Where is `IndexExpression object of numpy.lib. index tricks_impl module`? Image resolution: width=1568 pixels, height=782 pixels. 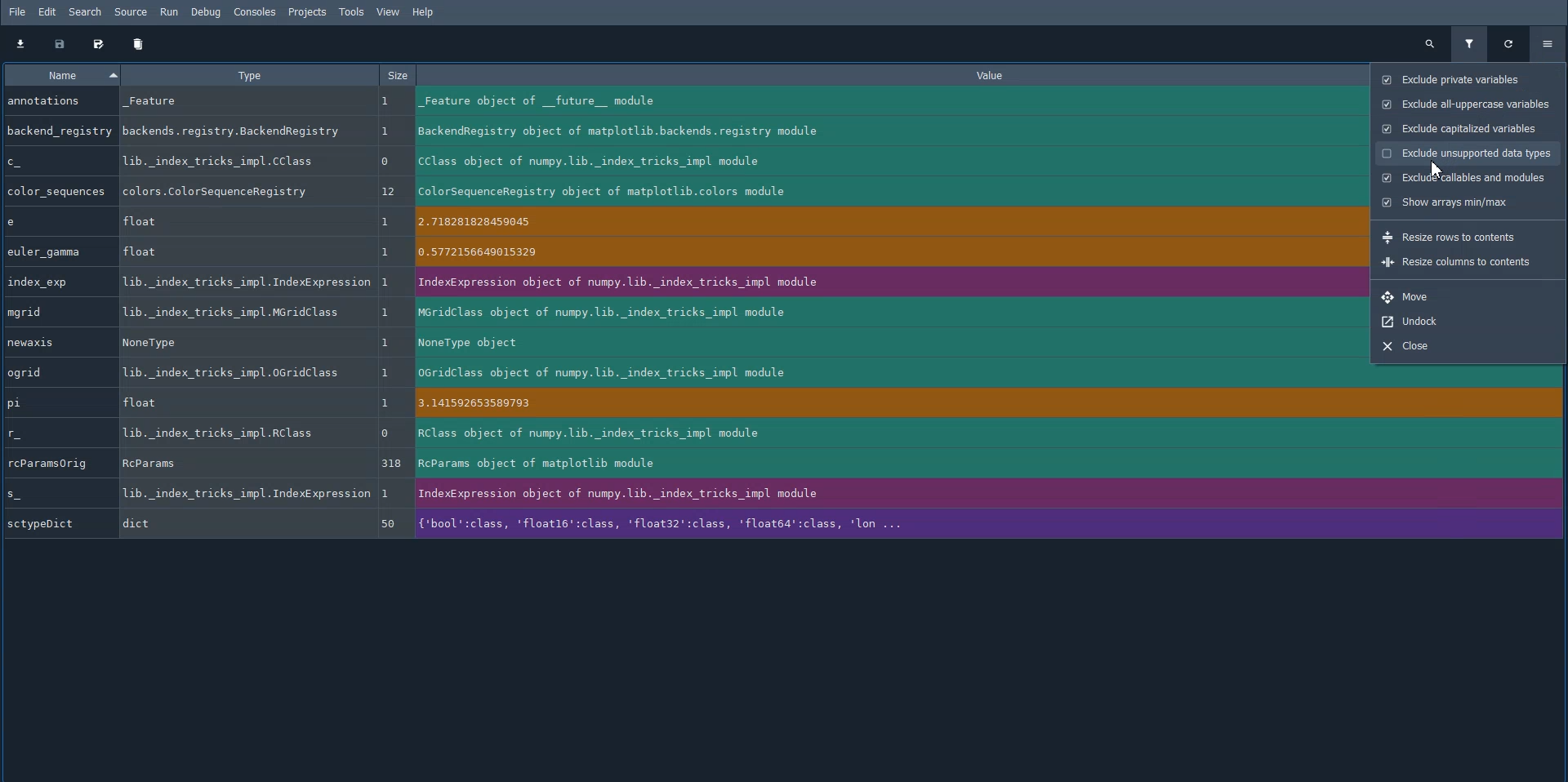 IndexExpression object of numpy.lib. index tricks_impl module is located at coordinates (885, 495).